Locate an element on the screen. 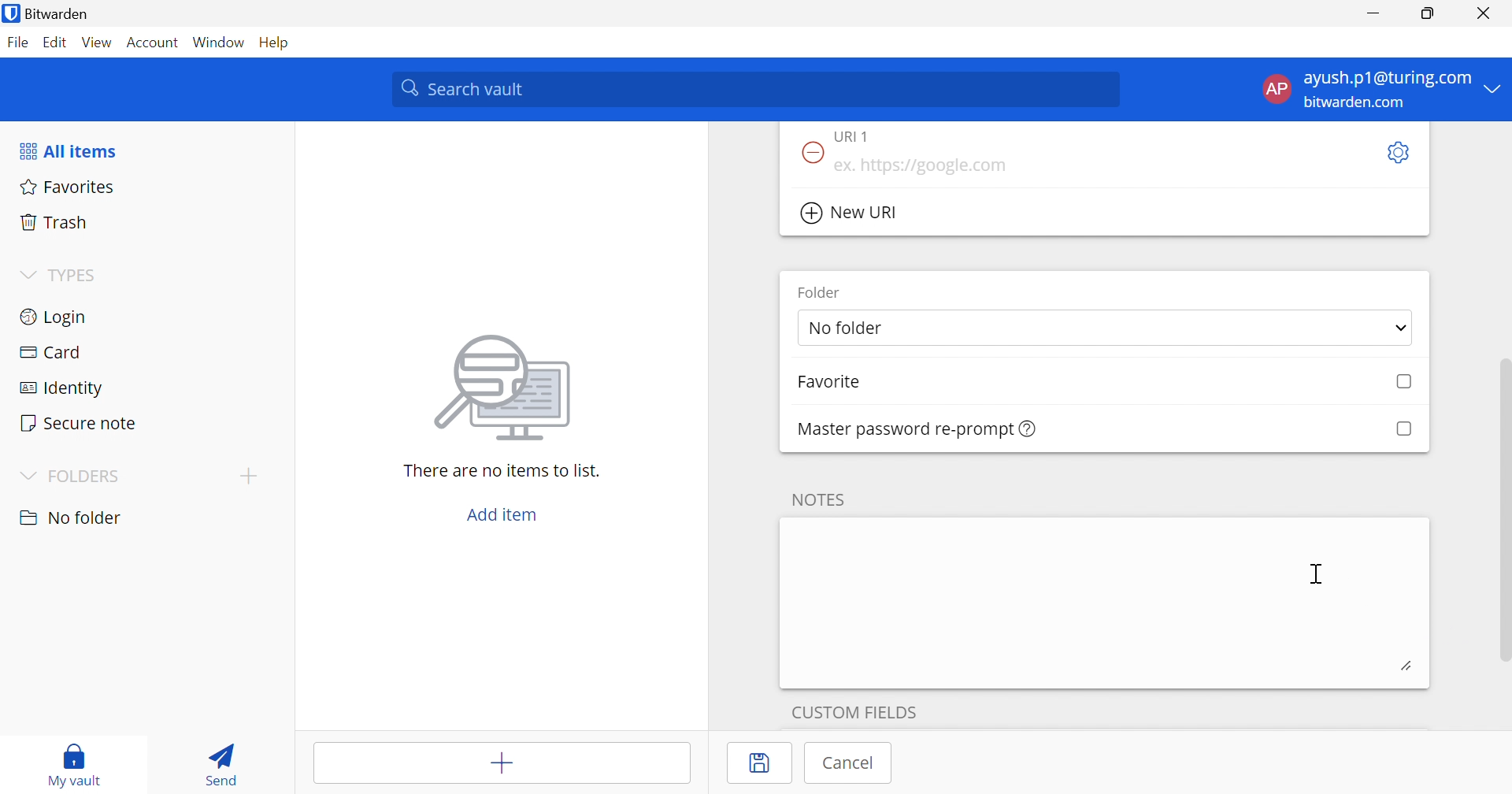  Trash is located at coordinates (54, 220).